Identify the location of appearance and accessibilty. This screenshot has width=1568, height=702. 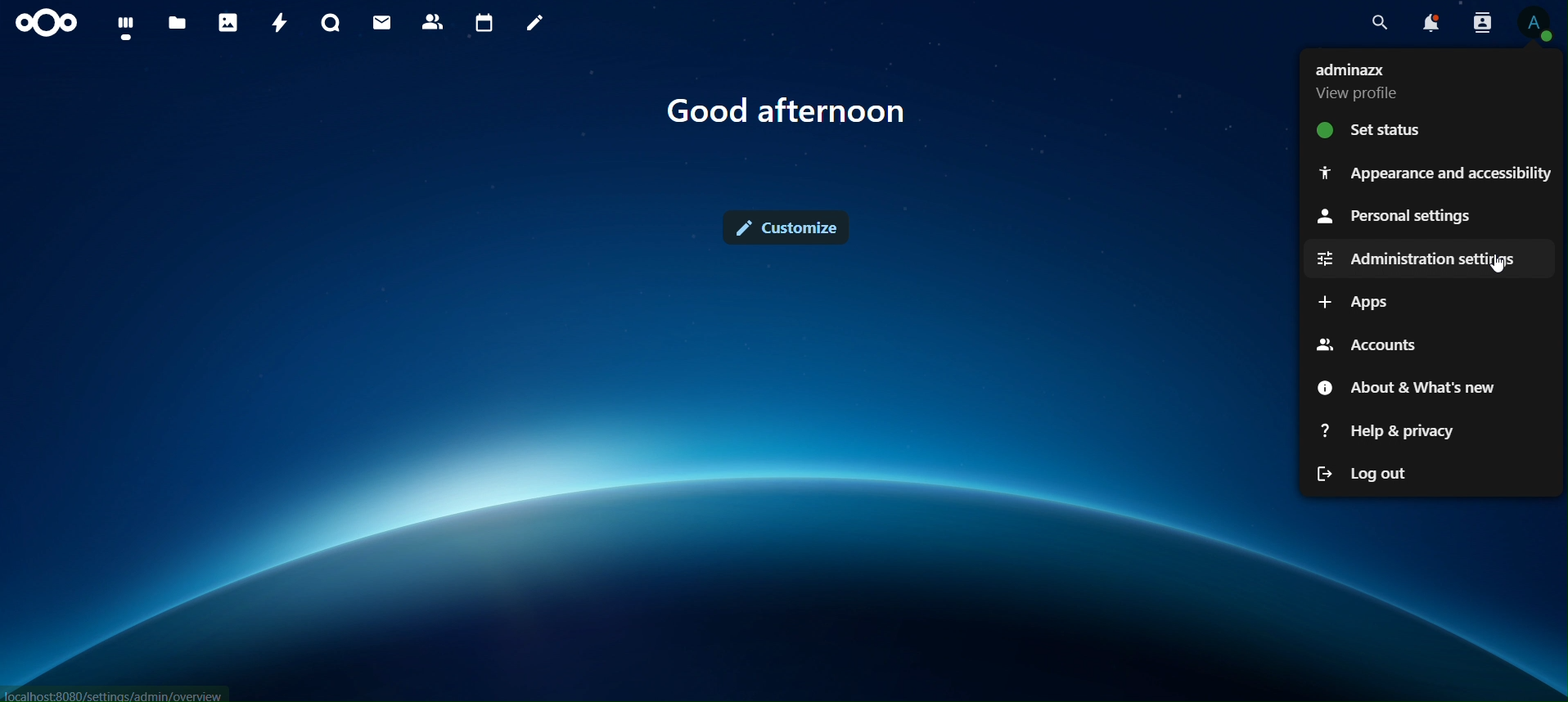
(1435, 169).